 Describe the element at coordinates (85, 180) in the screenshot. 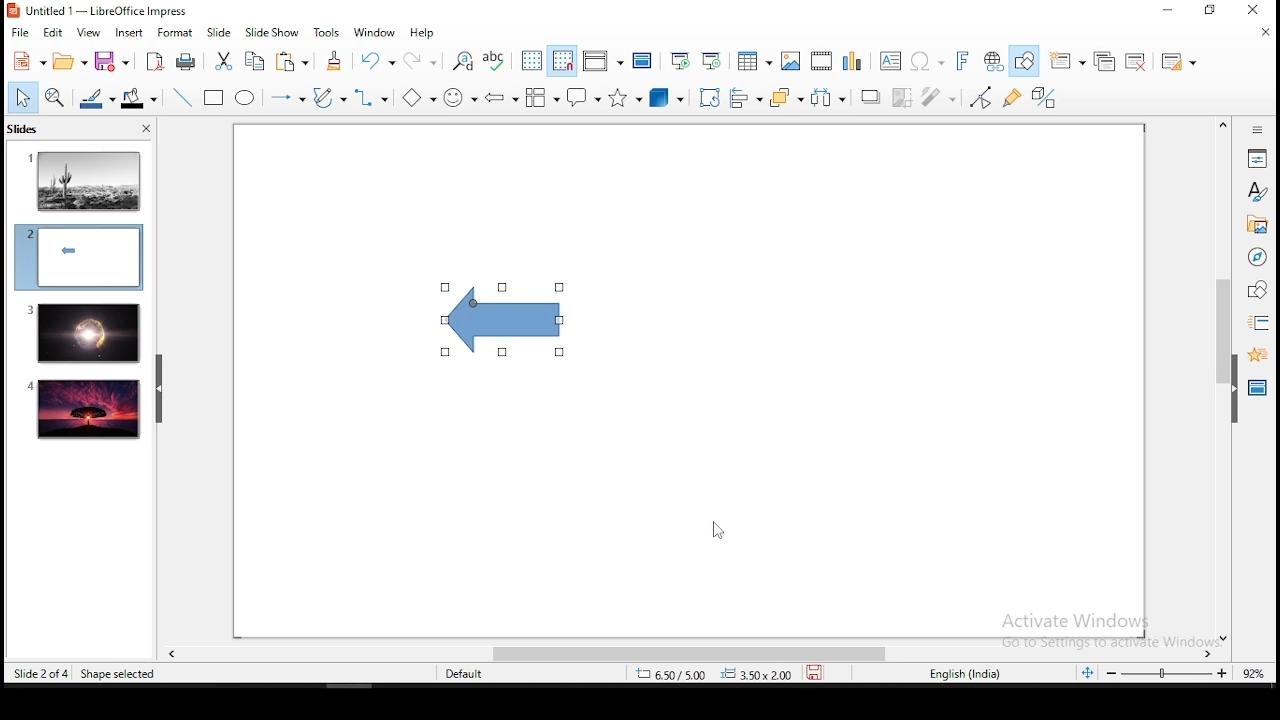

I see `slide 1` at that location.